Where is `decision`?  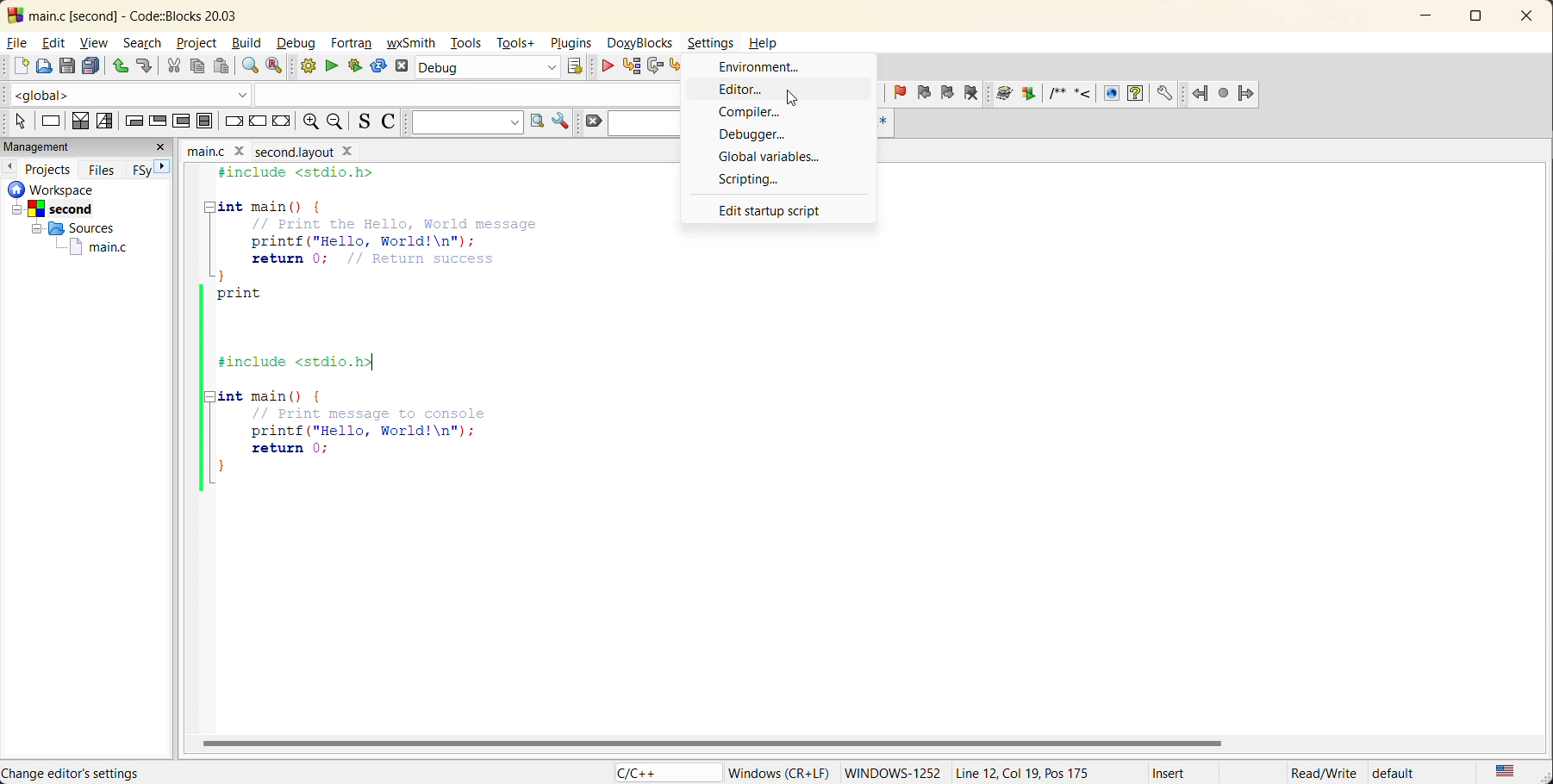
decision is located at coordinates (82, 121).